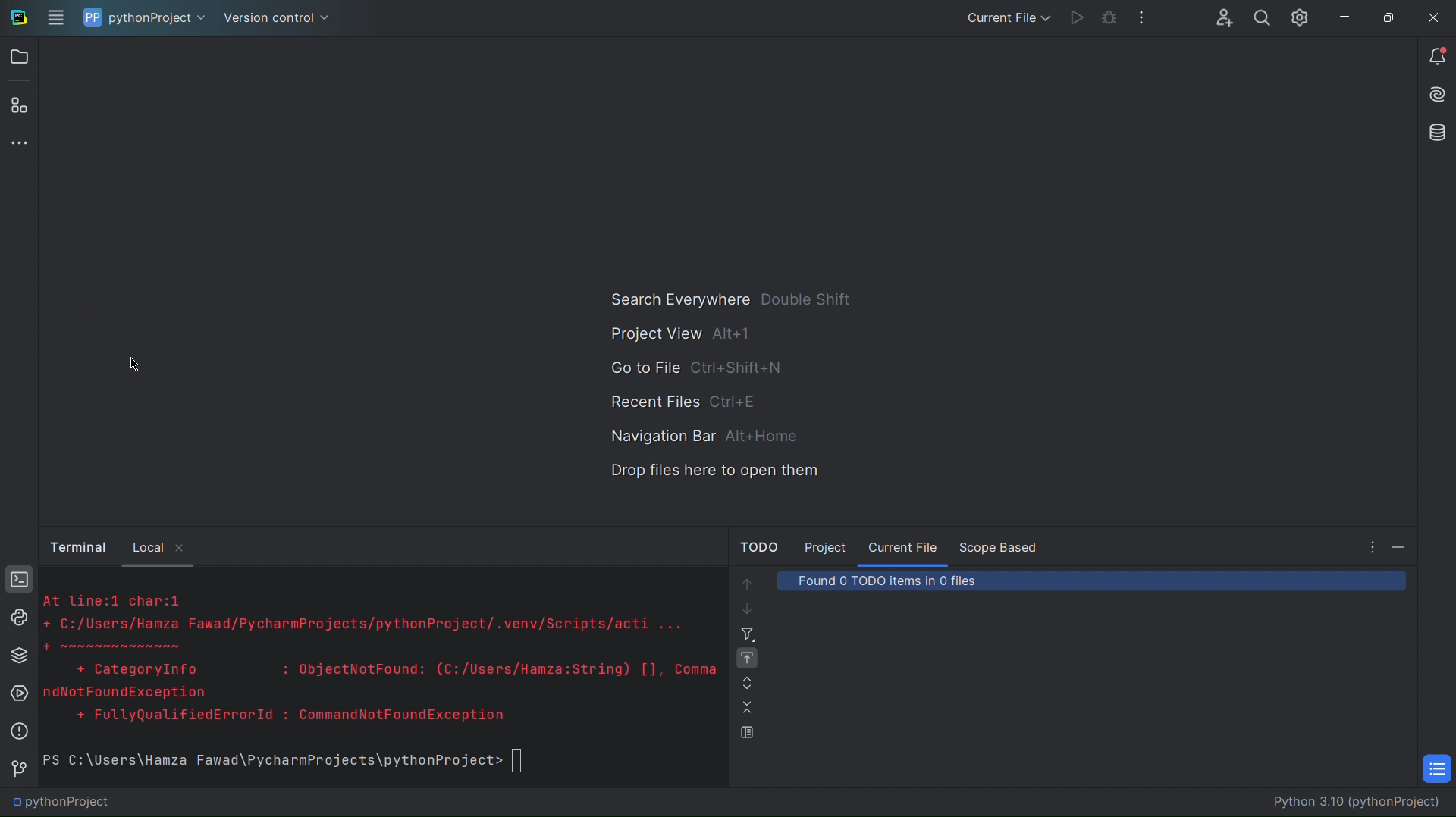 This screenshot has width=1456, height=817. Describe the element at coordinates (1385, 15) in the screenshot. I see `Maximize` at that location.